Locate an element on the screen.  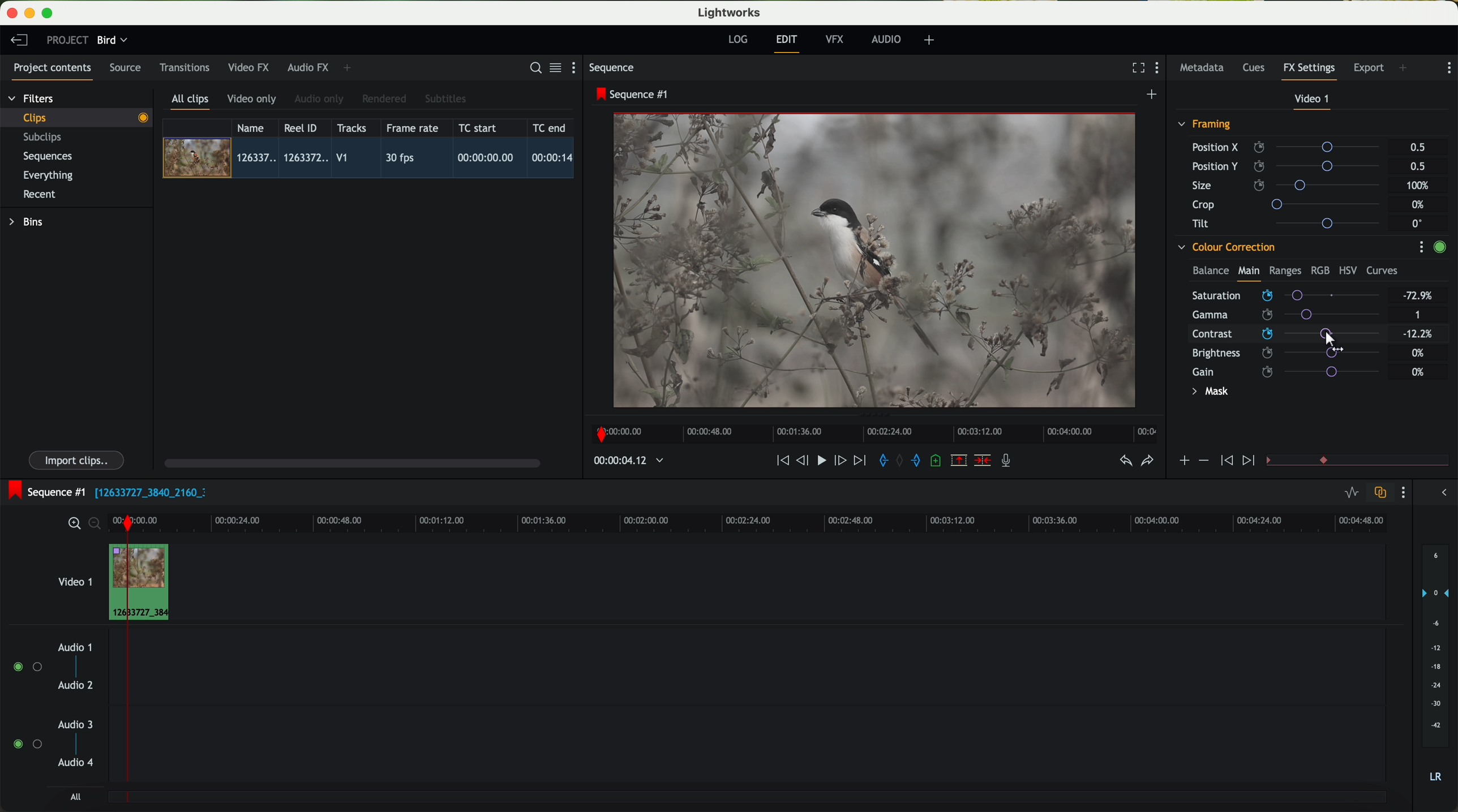
colour correction is located at coordinates (1225, 247).